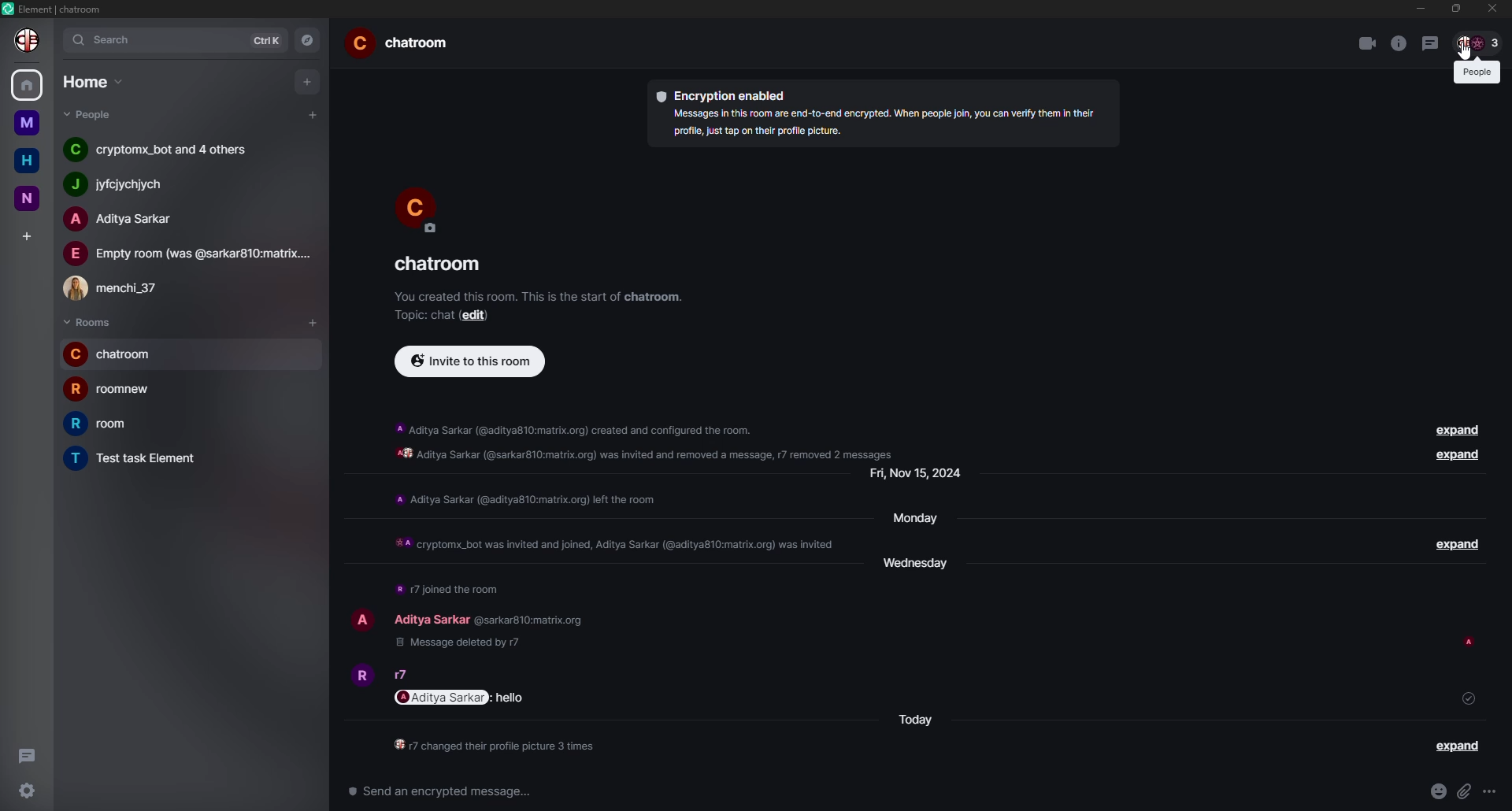 This screenshot has width=1512, height=811. What do you see at coordinates (33, 197) in the screenshot?
I see `n` at bounding box center [33, 197].